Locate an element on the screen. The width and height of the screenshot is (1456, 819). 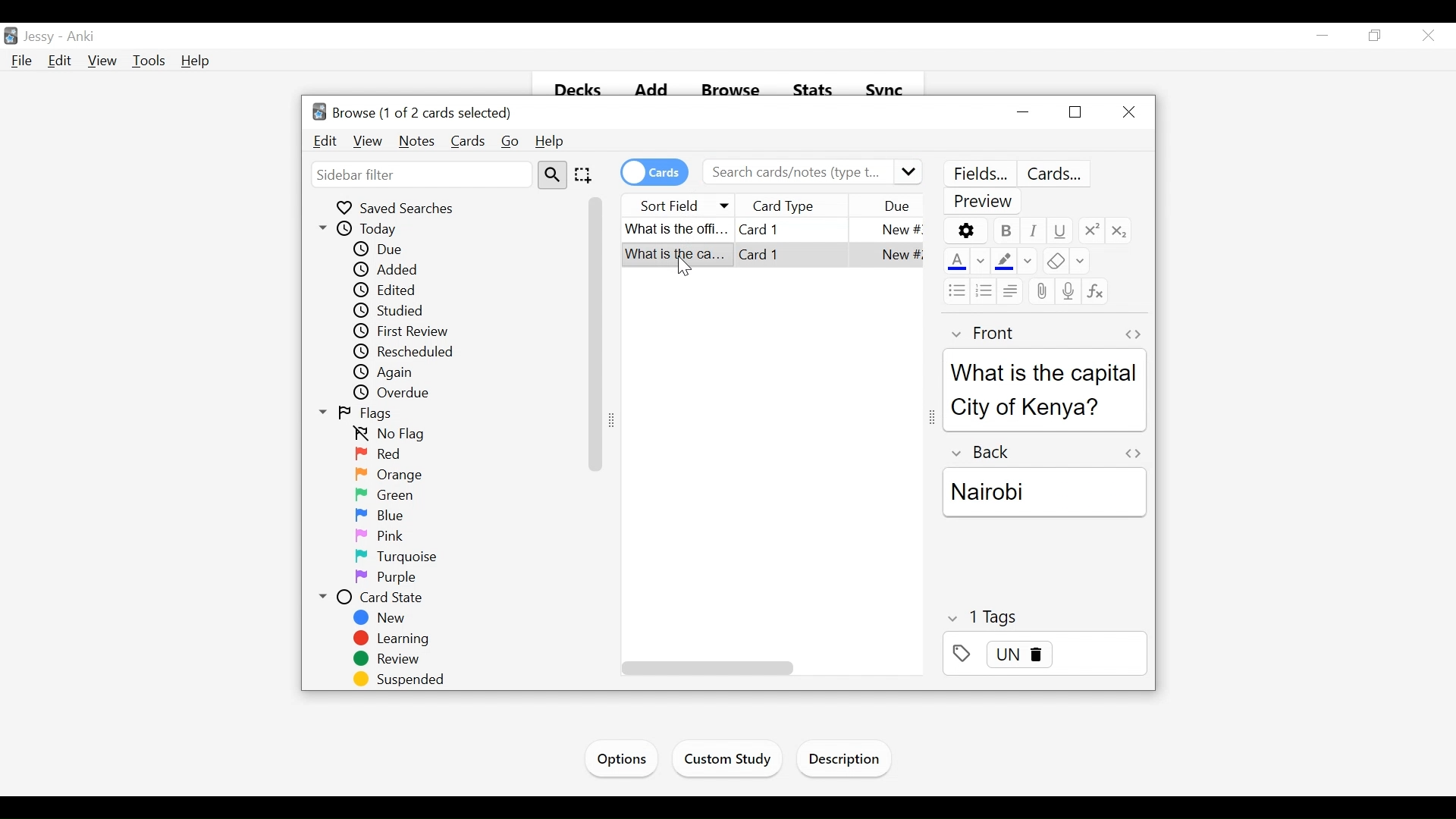
Red is located at coordinates (377, 454).